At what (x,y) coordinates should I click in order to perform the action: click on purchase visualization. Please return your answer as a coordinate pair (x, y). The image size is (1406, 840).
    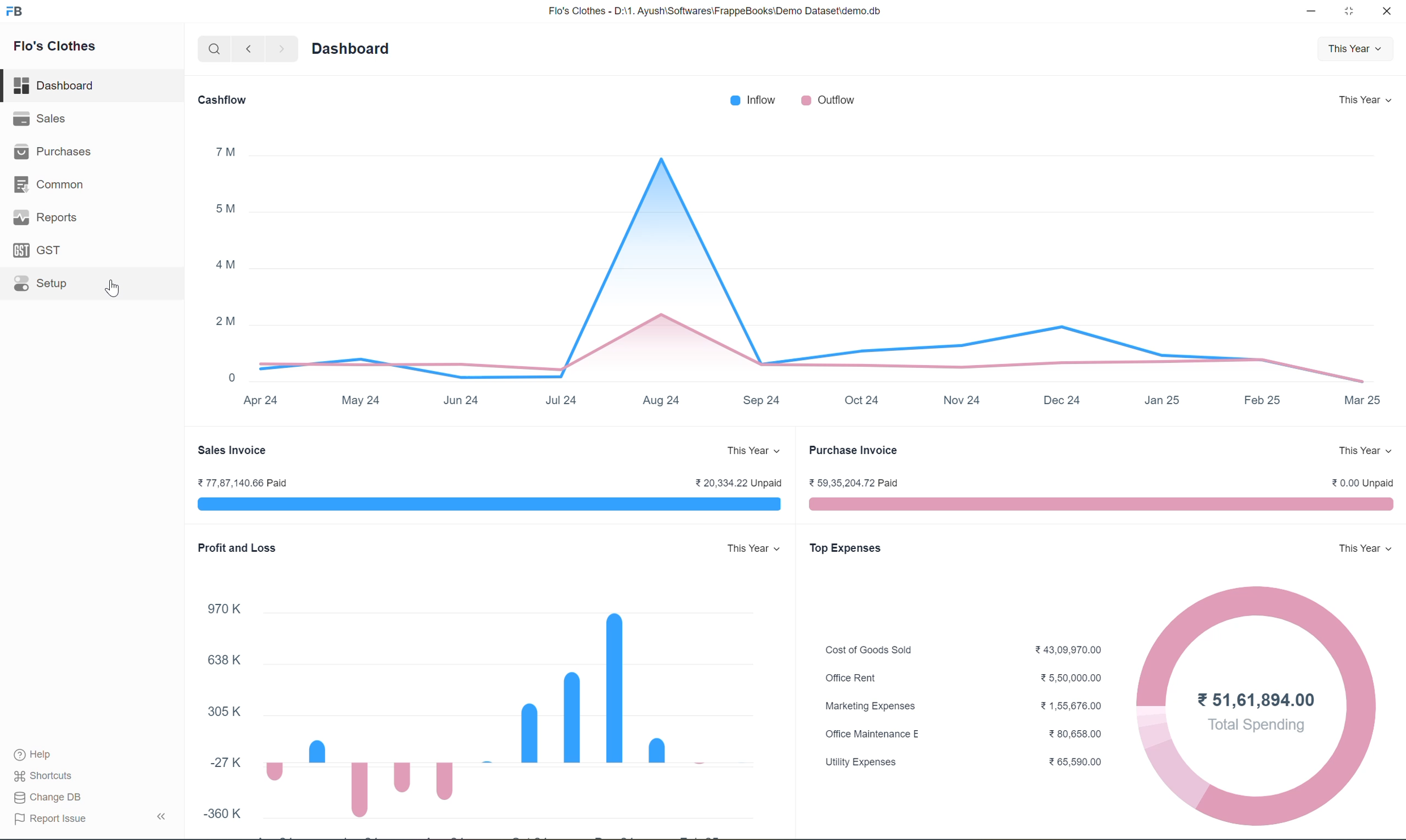
    Looking at the image, I should click on (1101, 503).